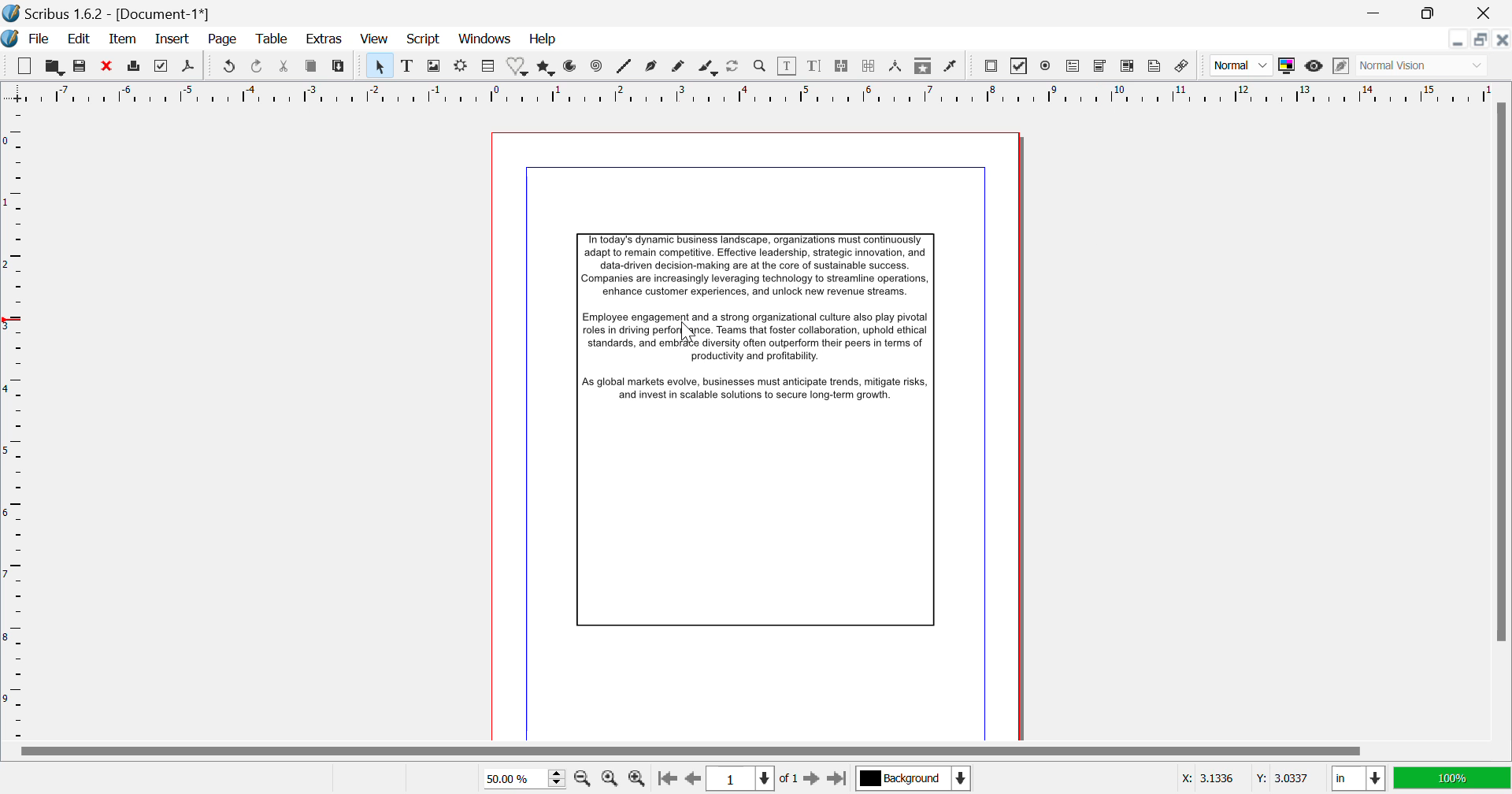 Image resolution: width=1512 pixels, height=794 pixels. What do you see at coordinates (1454, 777) in the screenshot?
I see `Display Appearance` at bounding box center [1454, 777].